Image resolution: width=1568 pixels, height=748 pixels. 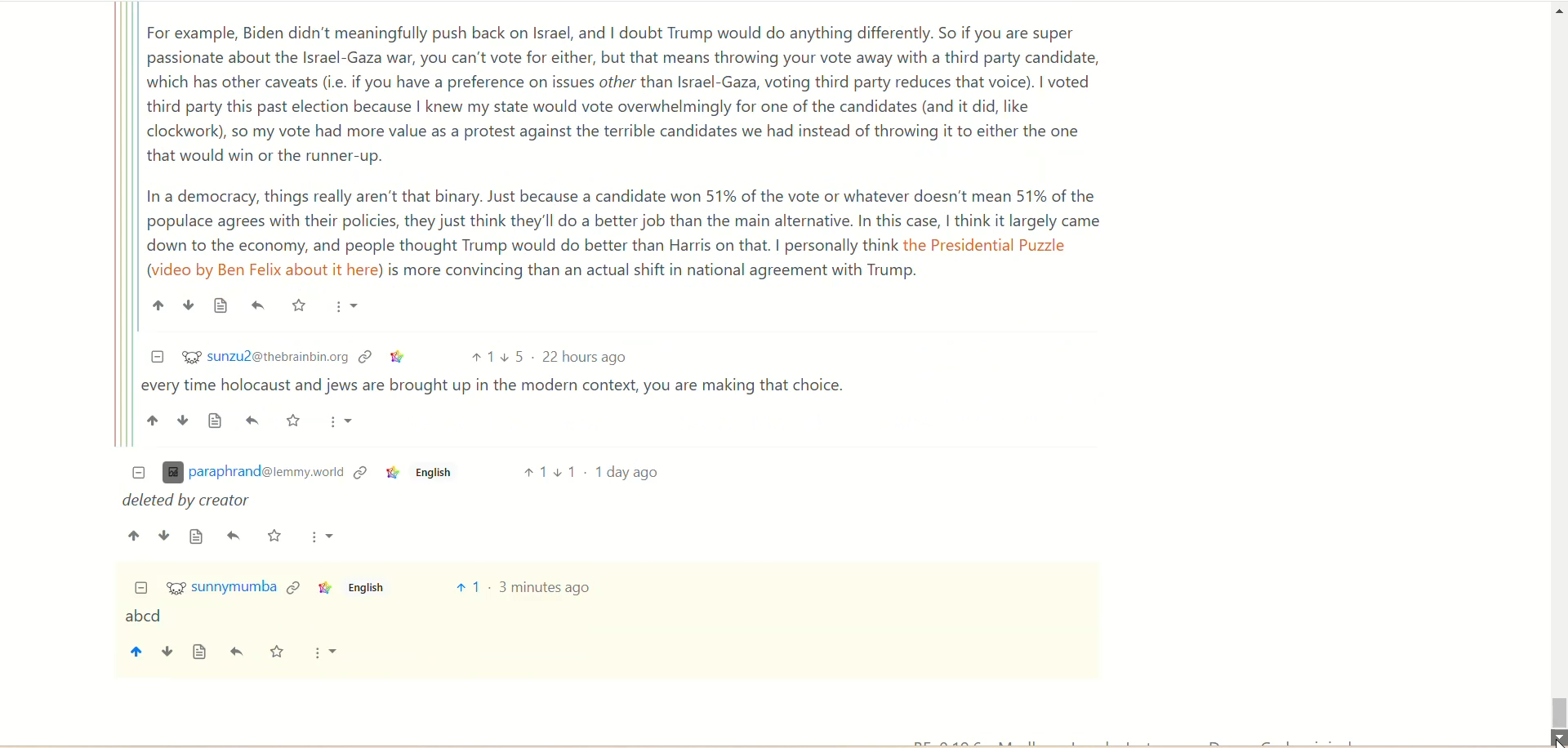 I want to click on downvote, so click(x=166, y=651).